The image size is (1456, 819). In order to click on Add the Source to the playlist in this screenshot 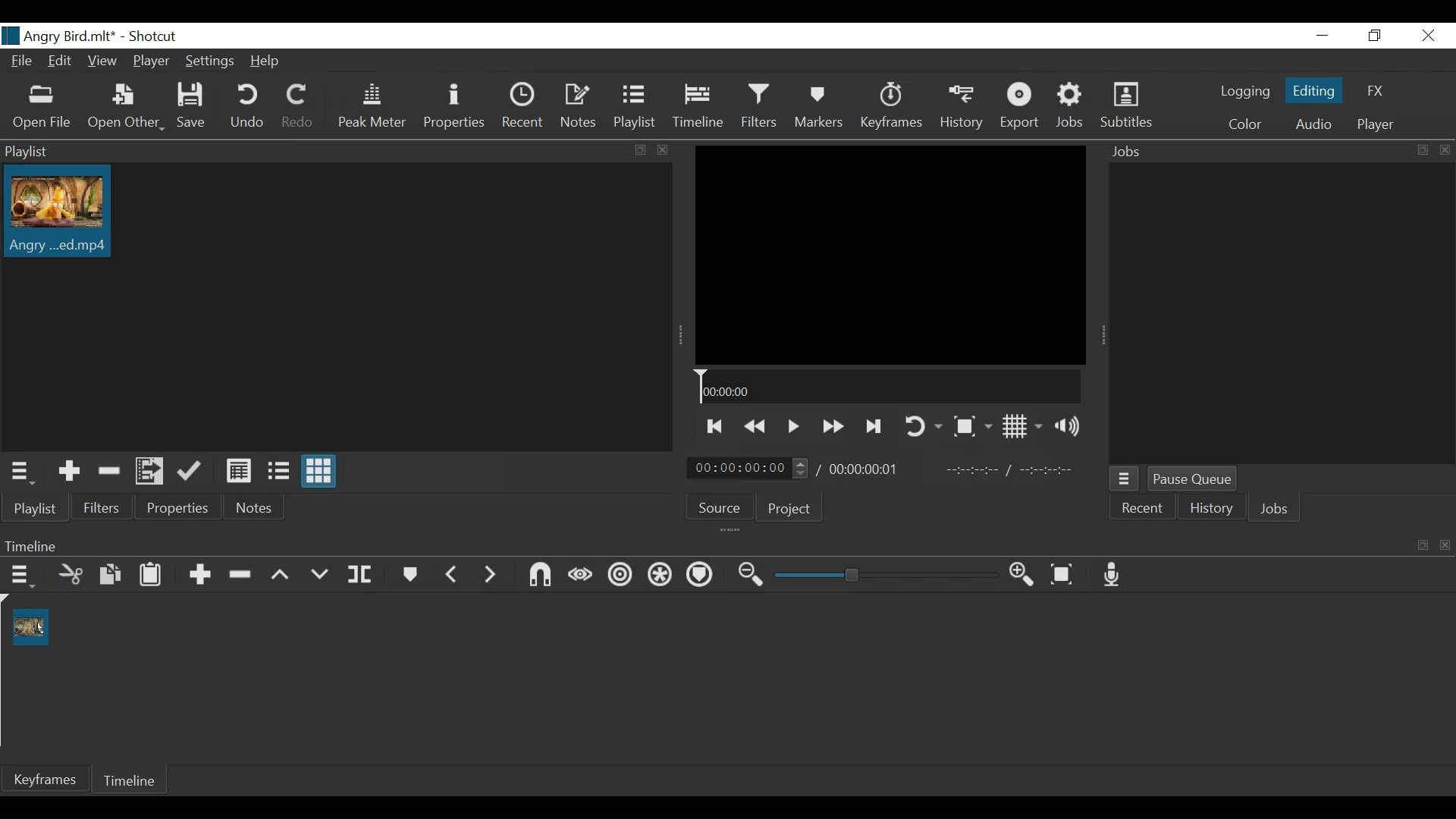, I will do `click(67, 472)`.